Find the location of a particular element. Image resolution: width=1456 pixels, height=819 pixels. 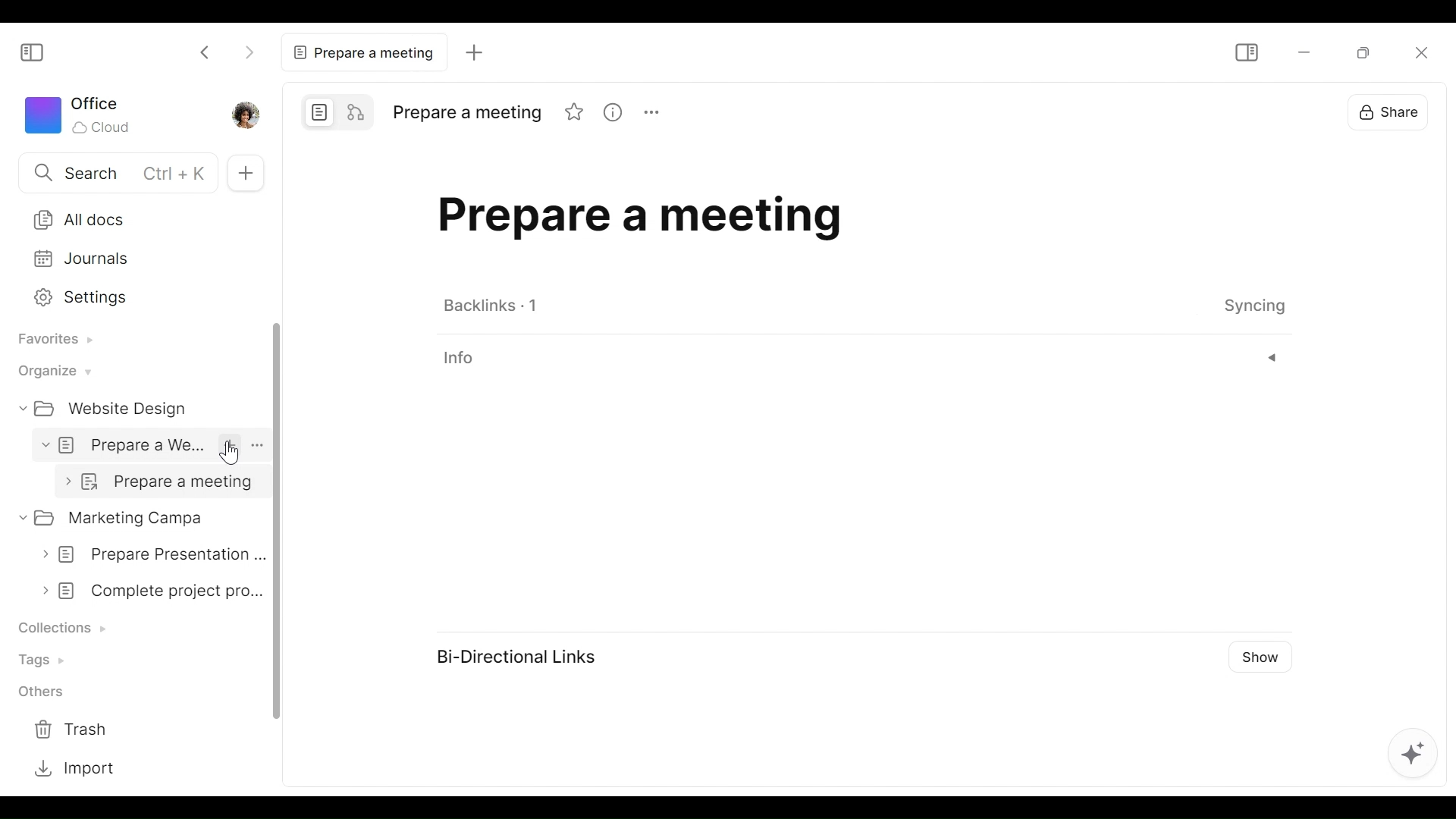

Show/Hide Sidebar is located at coordinates (1246, 52).